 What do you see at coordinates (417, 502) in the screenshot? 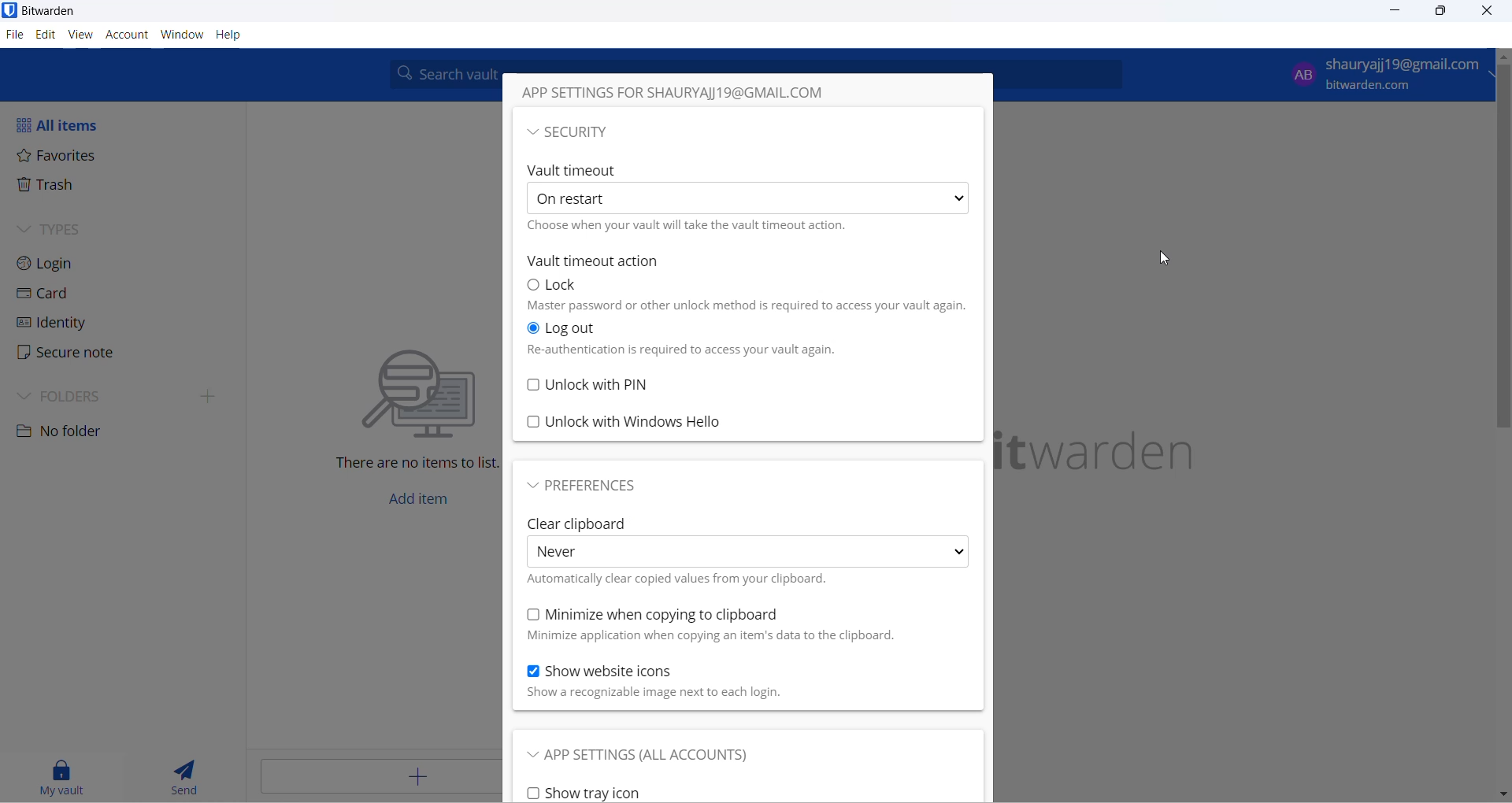
I see `add item button` at bounding box center [417, 502].